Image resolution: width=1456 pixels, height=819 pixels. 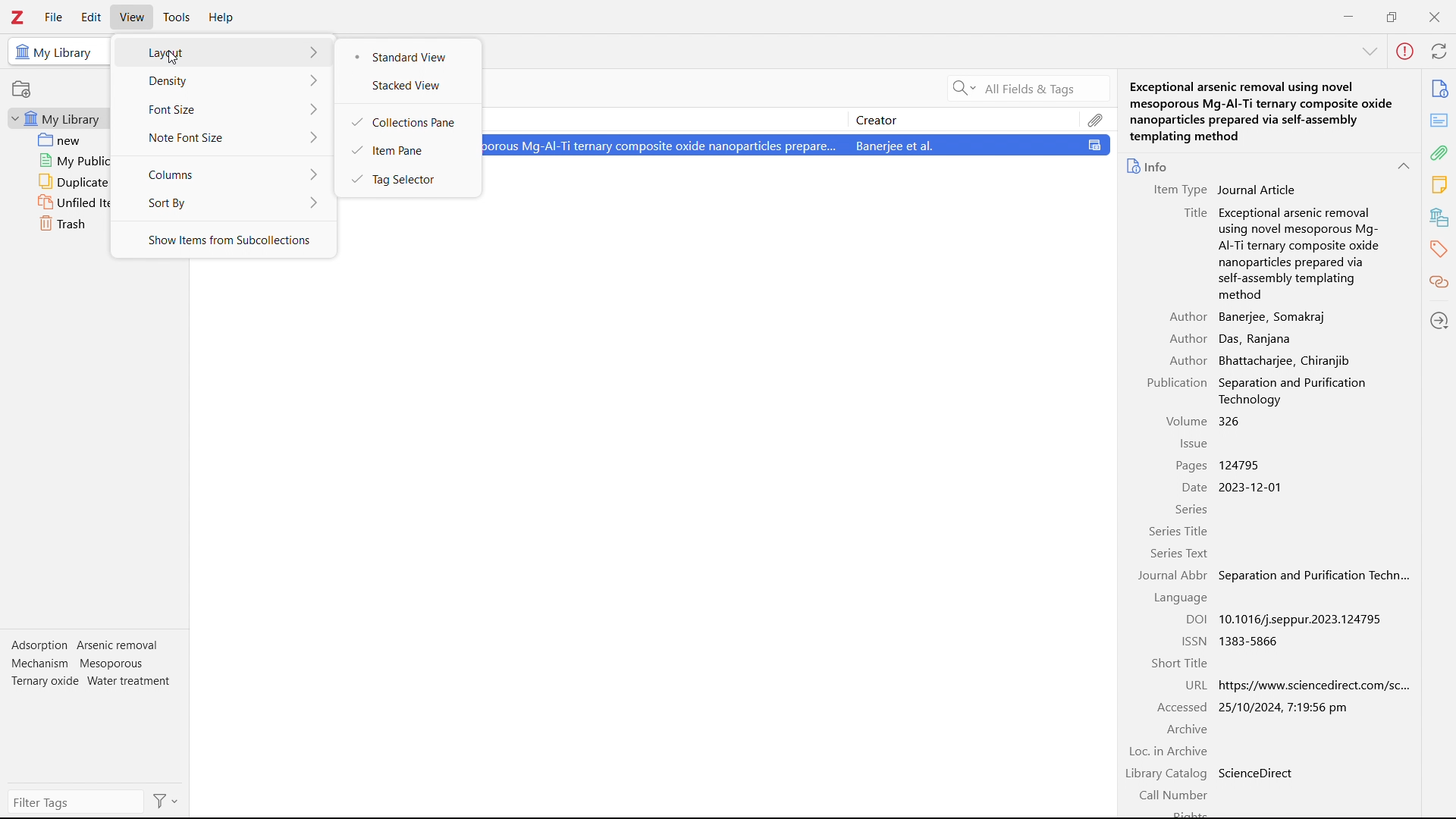 What do you see at coordinates (53, 224) in the screenshot?
I see `trash` at bounding box center [53, 224].